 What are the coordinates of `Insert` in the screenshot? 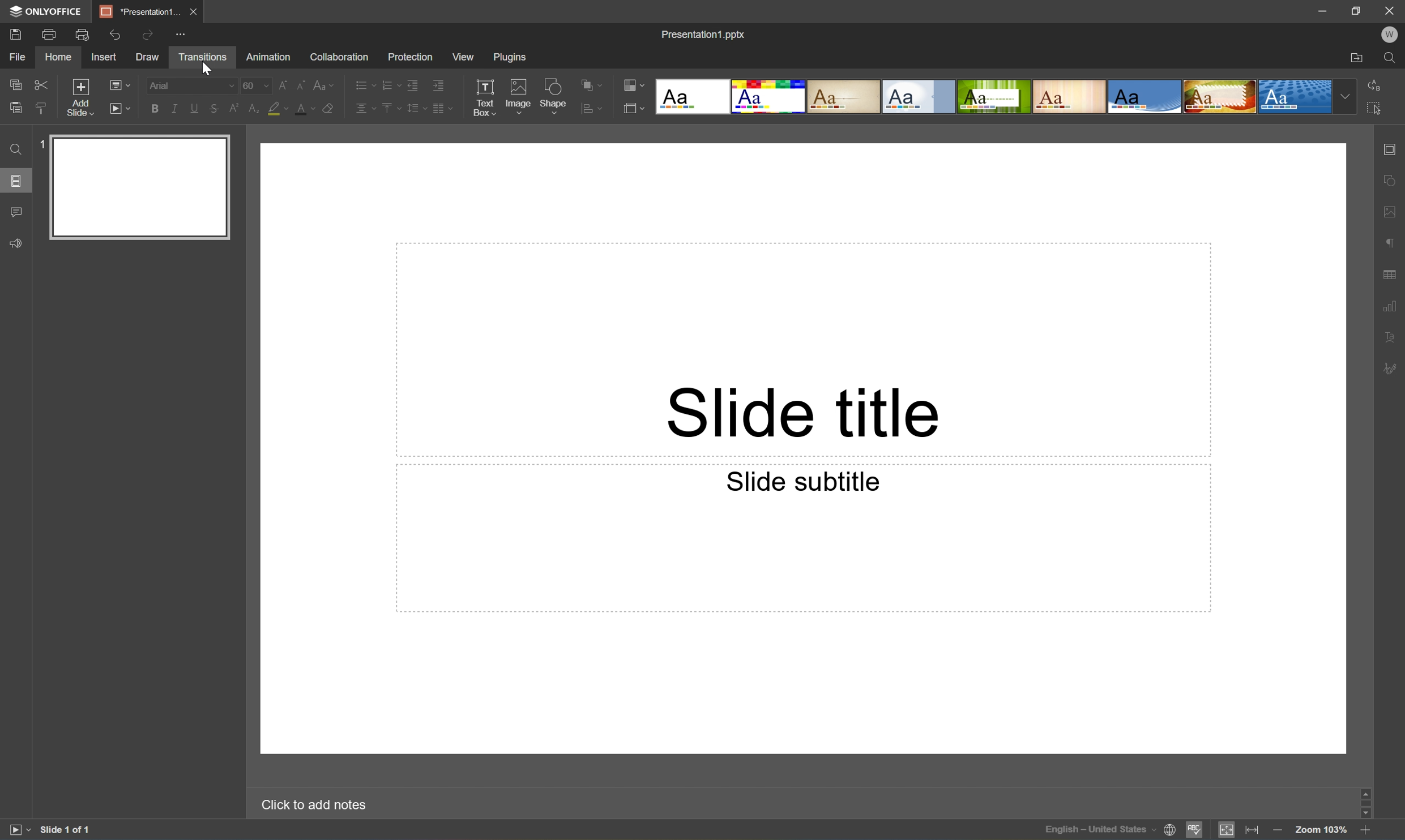 It's located at (106, 55).